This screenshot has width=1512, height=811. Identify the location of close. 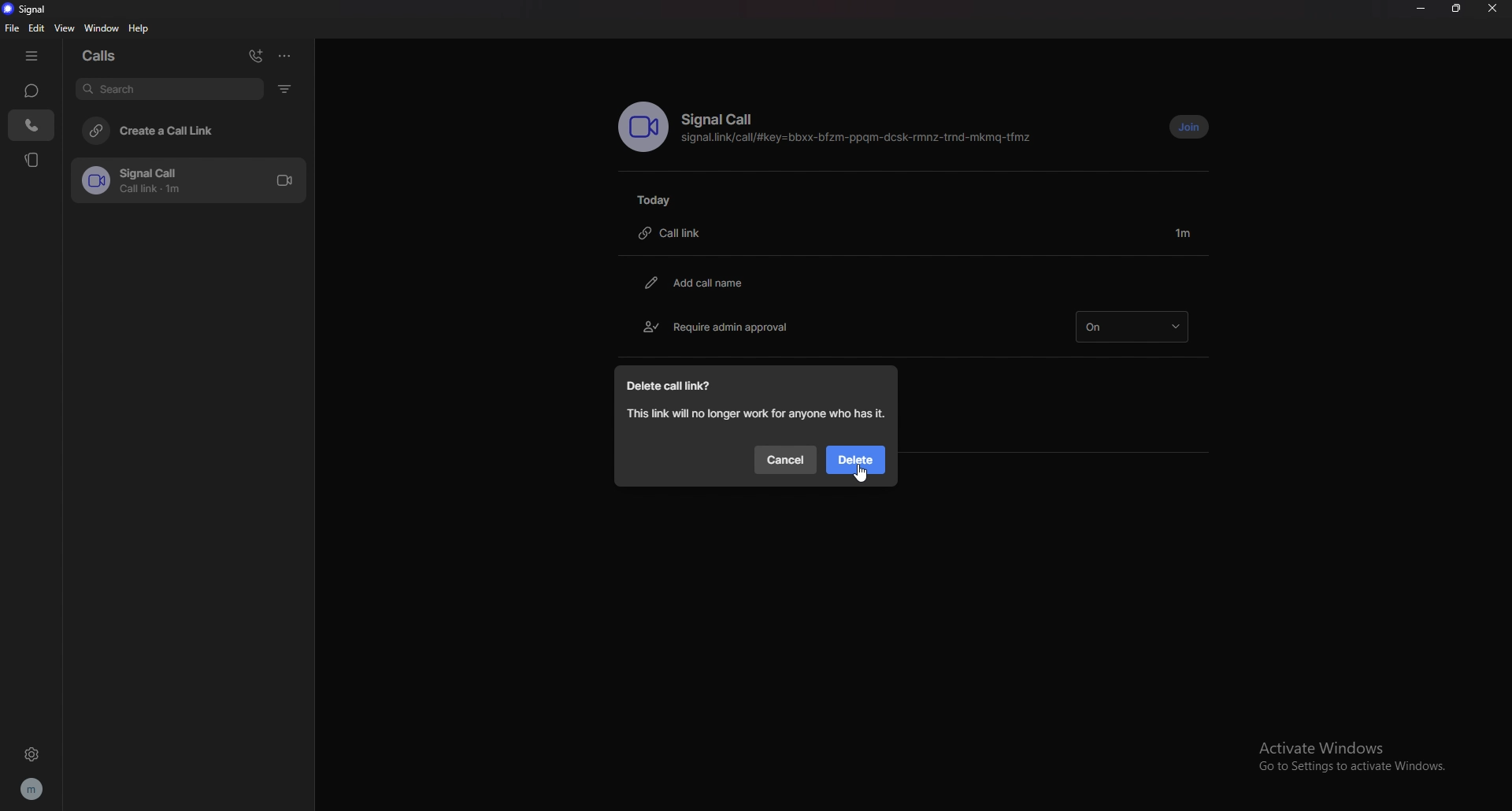
(1495, 8).